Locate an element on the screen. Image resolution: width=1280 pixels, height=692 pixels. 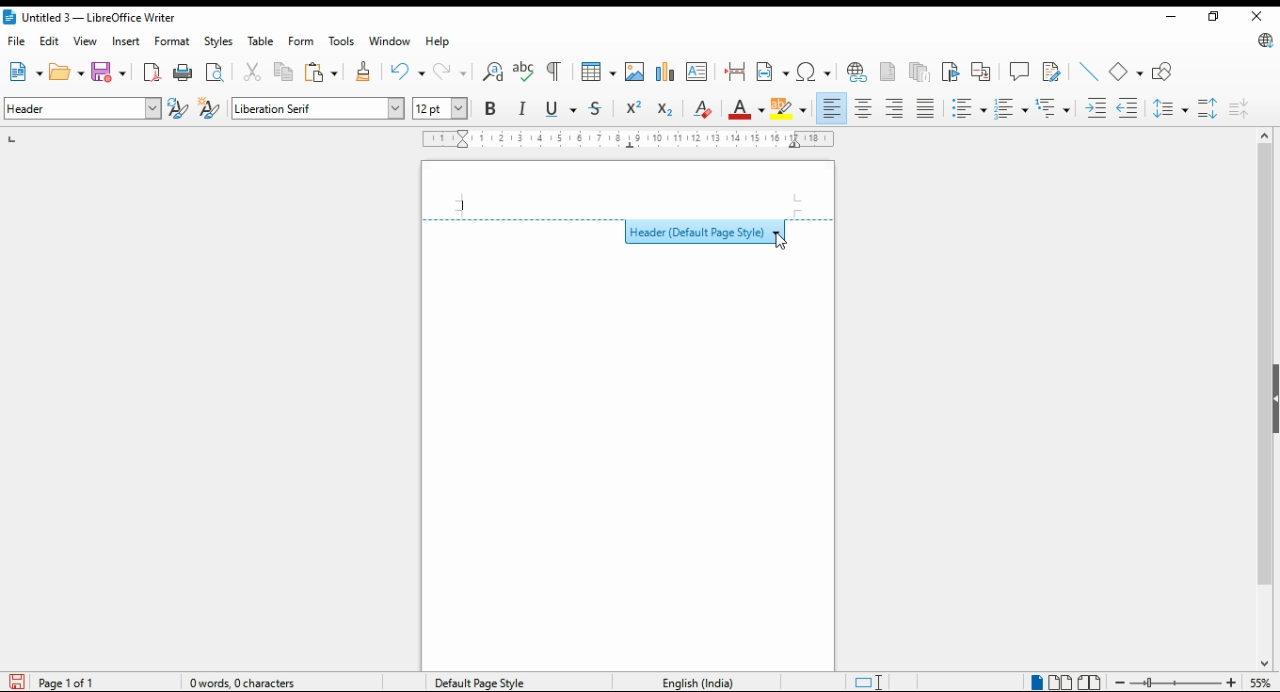
show tracker changes functions is located at coordinates (1054, 70).